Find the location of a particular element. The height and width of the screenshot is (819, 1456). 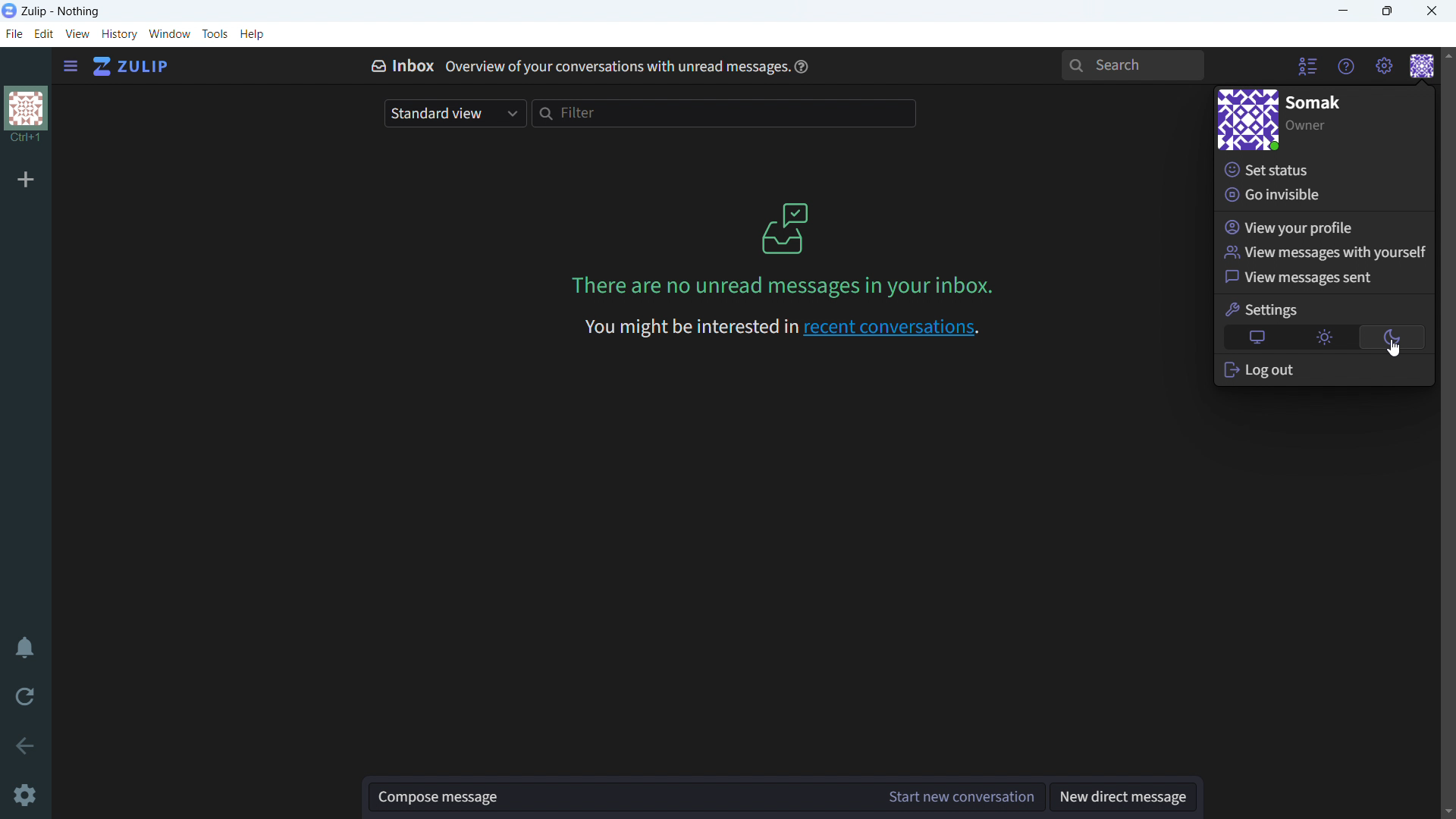

inbox overview of your conversation with unread messages is located at coordinates (573, 67).